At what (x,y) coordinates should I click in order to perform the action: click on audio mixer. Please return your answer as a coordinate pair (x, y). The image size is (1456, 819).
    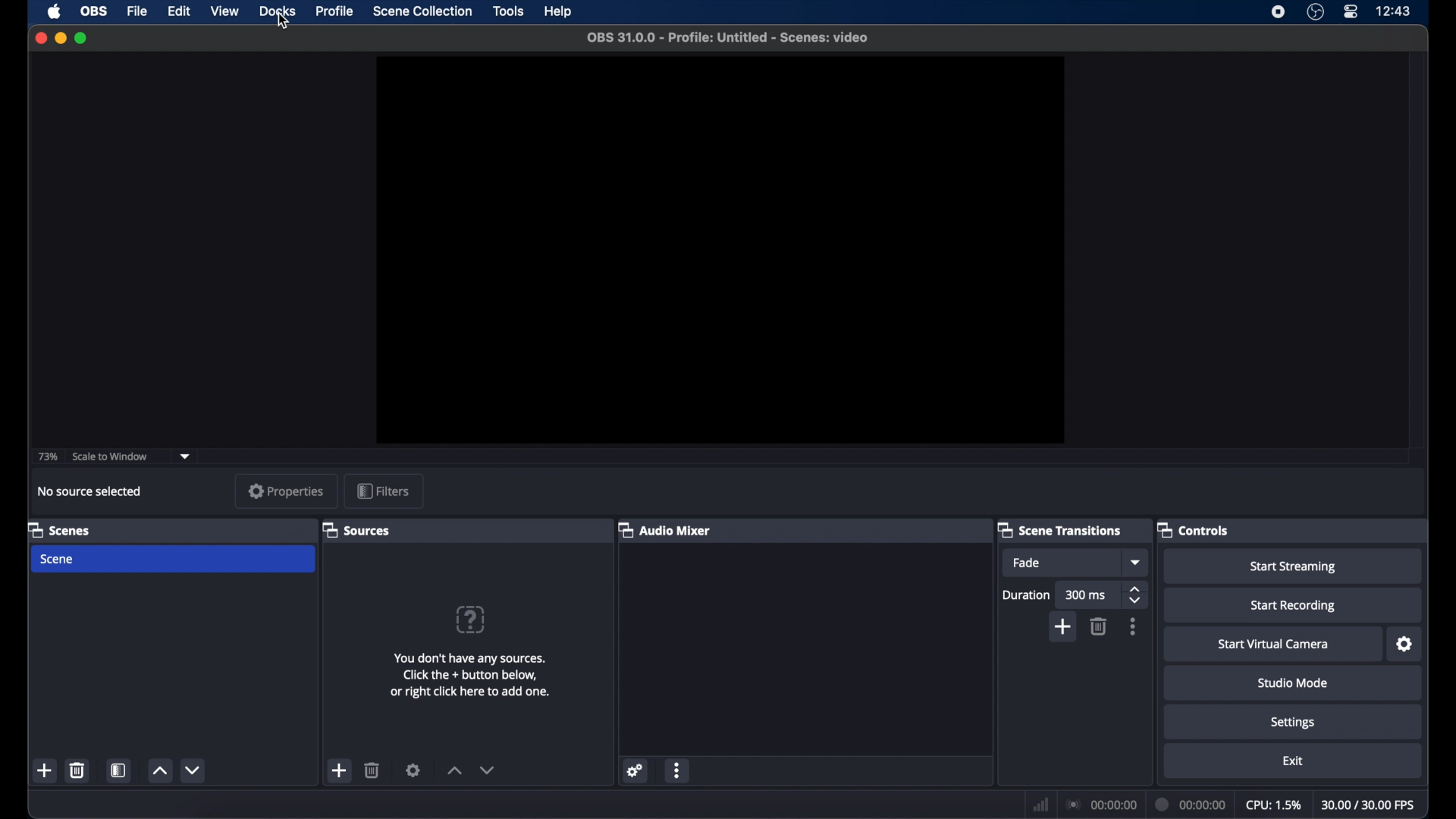
    Looking at the image, I should click on (664, 530).